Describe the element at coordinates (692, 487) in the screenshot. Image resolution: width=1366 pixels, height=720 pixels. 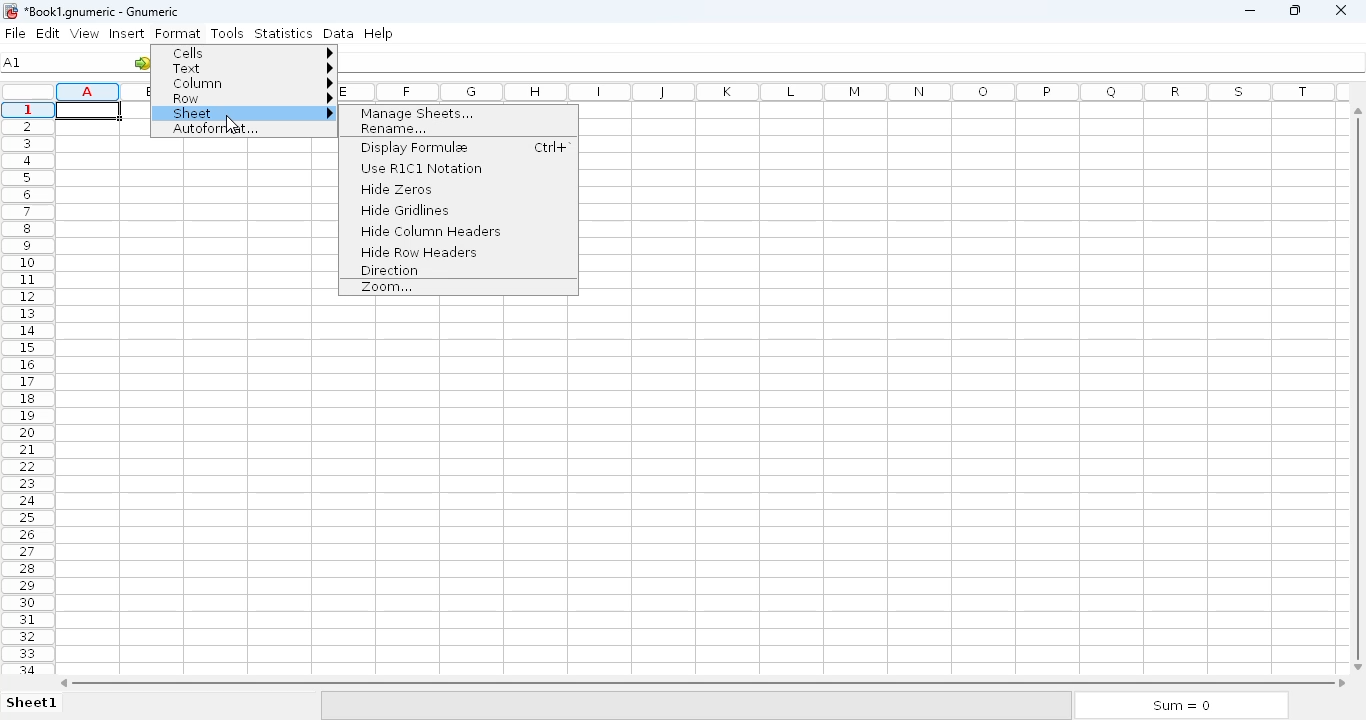
I see `Cells` at that location.